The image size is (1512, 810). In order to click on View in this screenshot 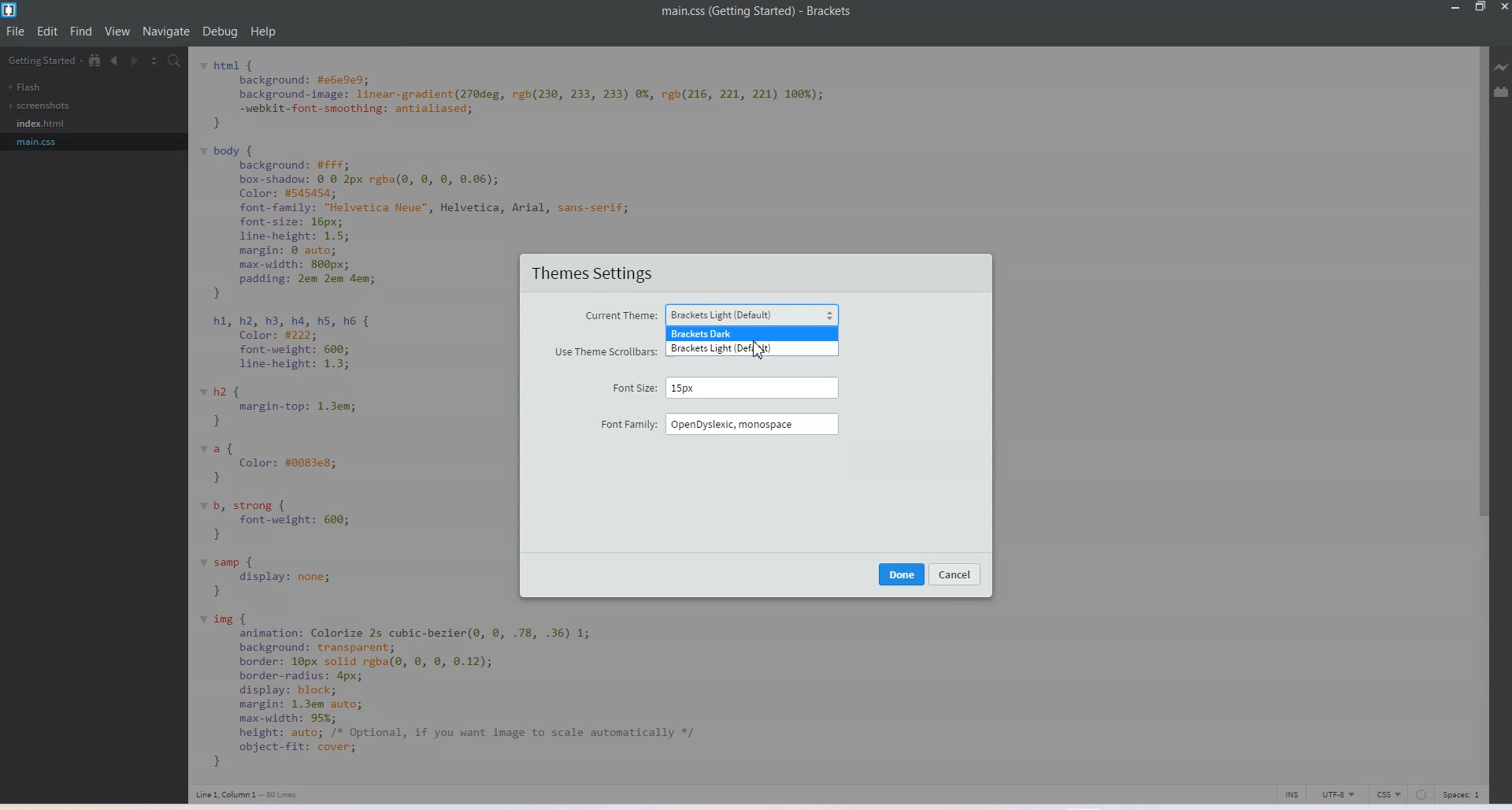, I will do `click(119, 31)`.